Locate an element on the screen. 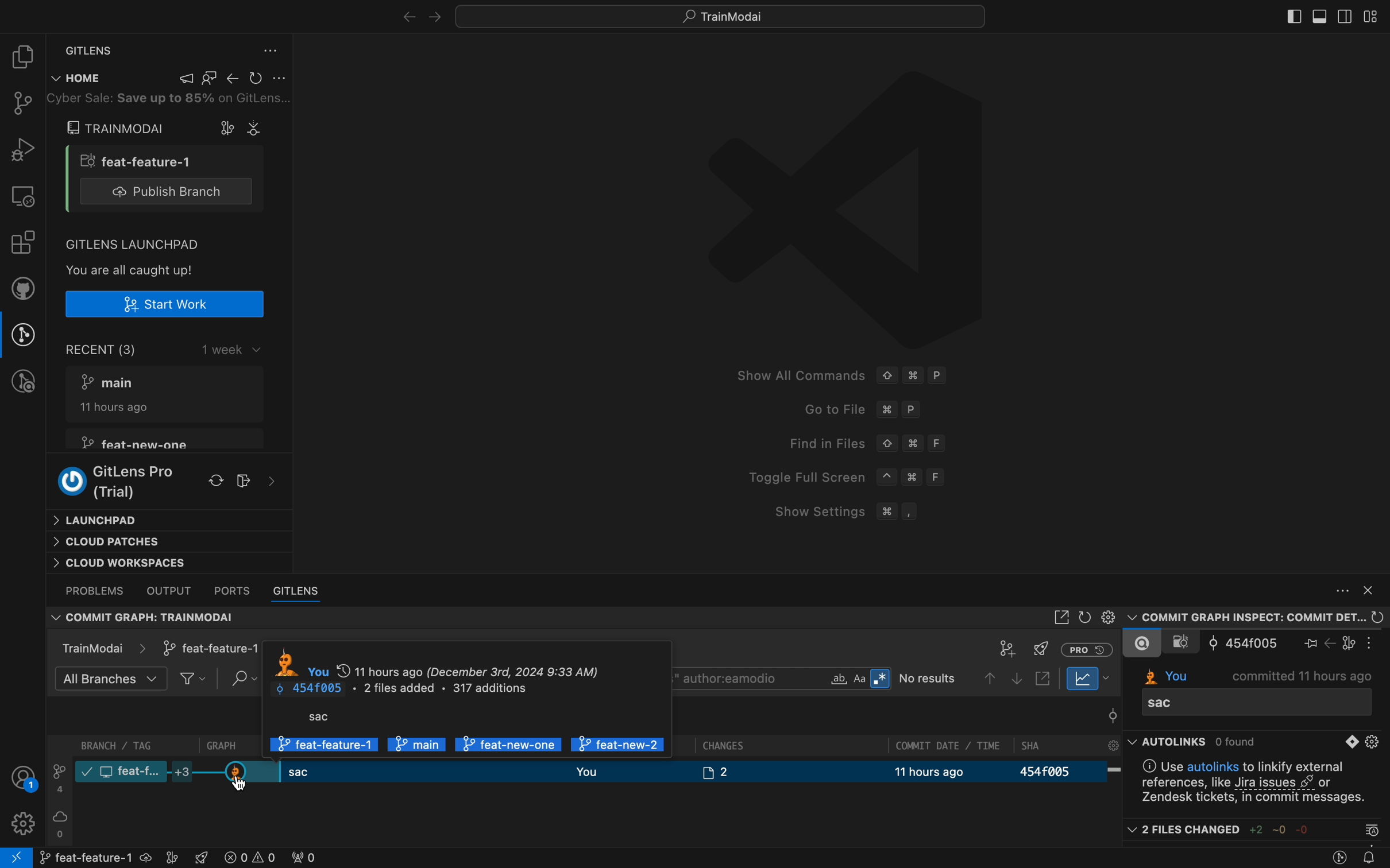 The height and width of the screenshot is (868, 1390). Cloud workspaces is located at coordinates (133, 561).